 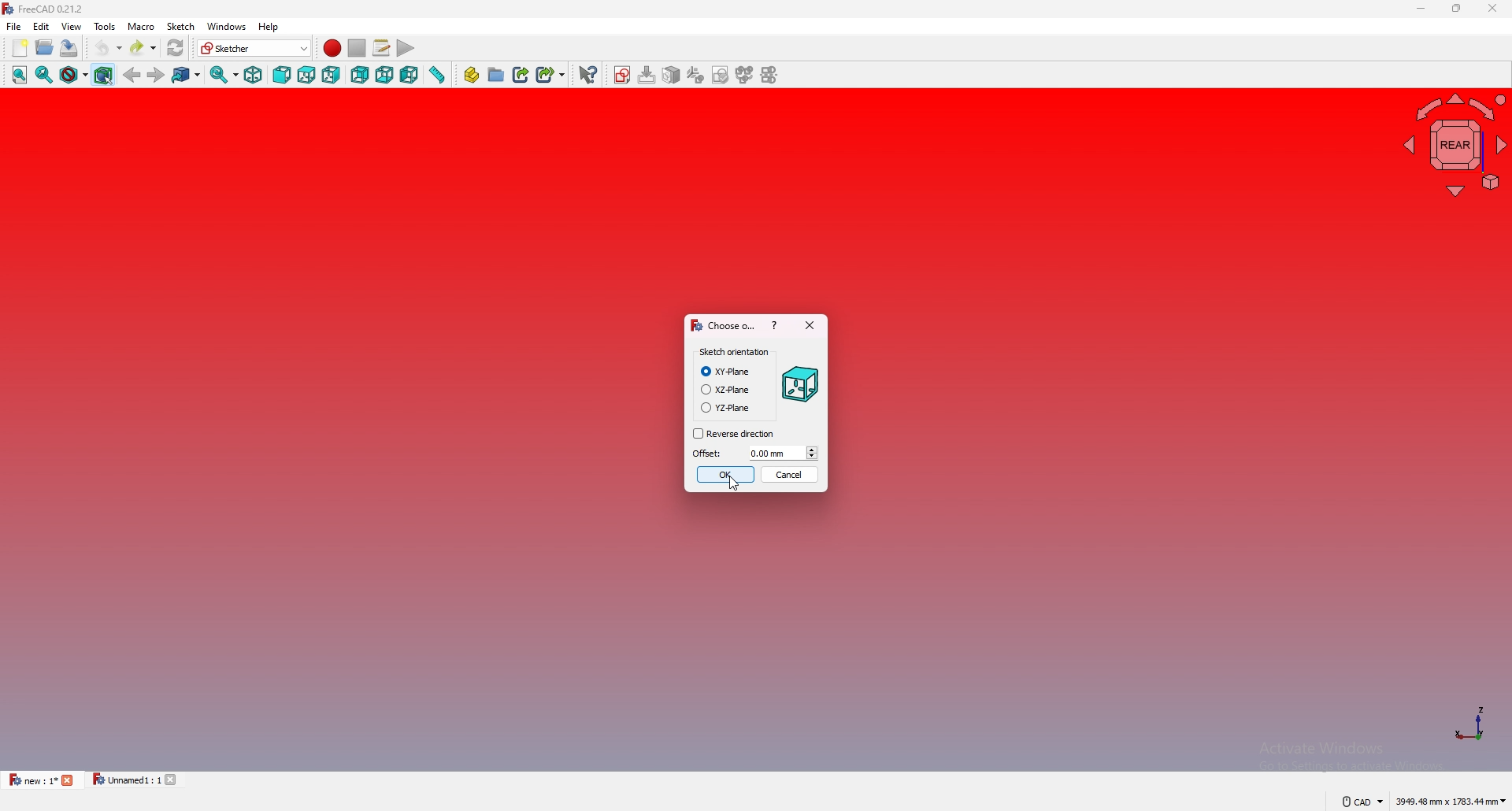 I want to click on refresh, so click(x=176, y=48).